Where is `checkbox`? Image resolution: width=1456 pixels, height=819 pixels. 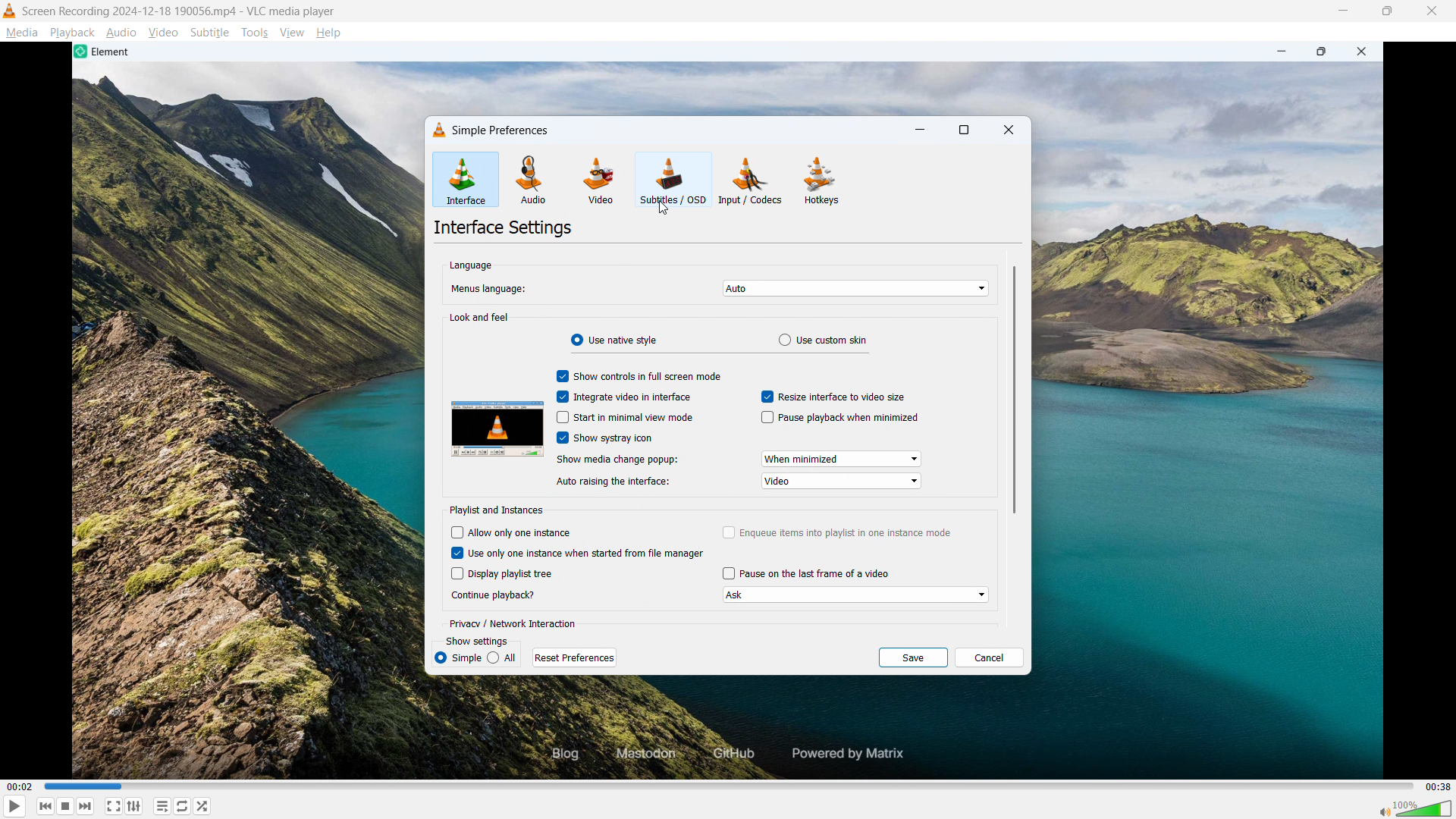
checkbox is located at coordinates (765, 397).